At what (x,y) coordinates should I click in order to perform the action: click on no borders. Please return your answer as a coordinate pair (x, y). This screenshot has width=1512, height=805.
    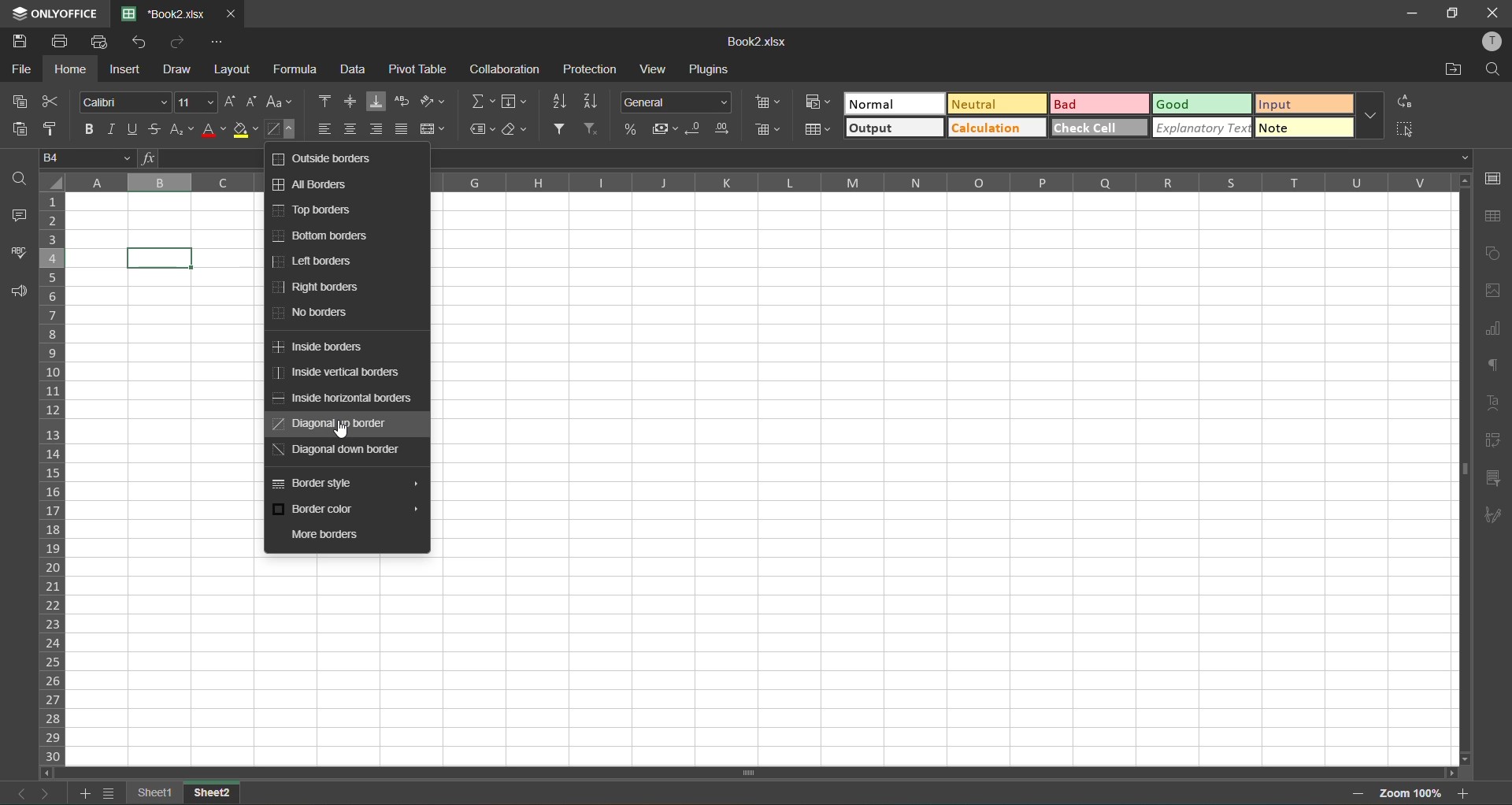
    Looking at the image, I should click on (317, 316).